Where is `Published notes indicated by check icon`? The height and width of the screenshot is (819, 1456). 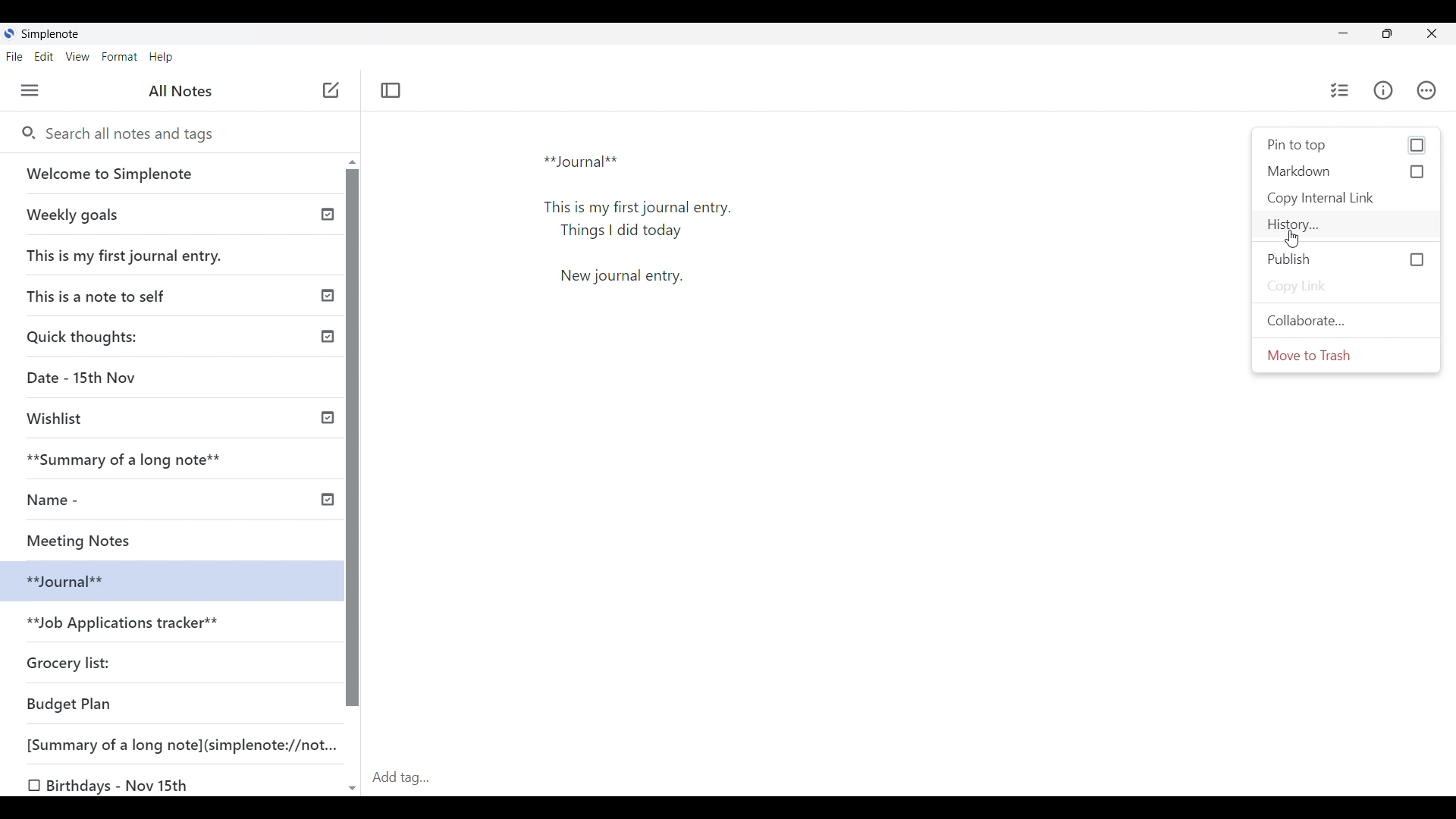 Published notes indicated by check icon is located at coordinates (328, 357).